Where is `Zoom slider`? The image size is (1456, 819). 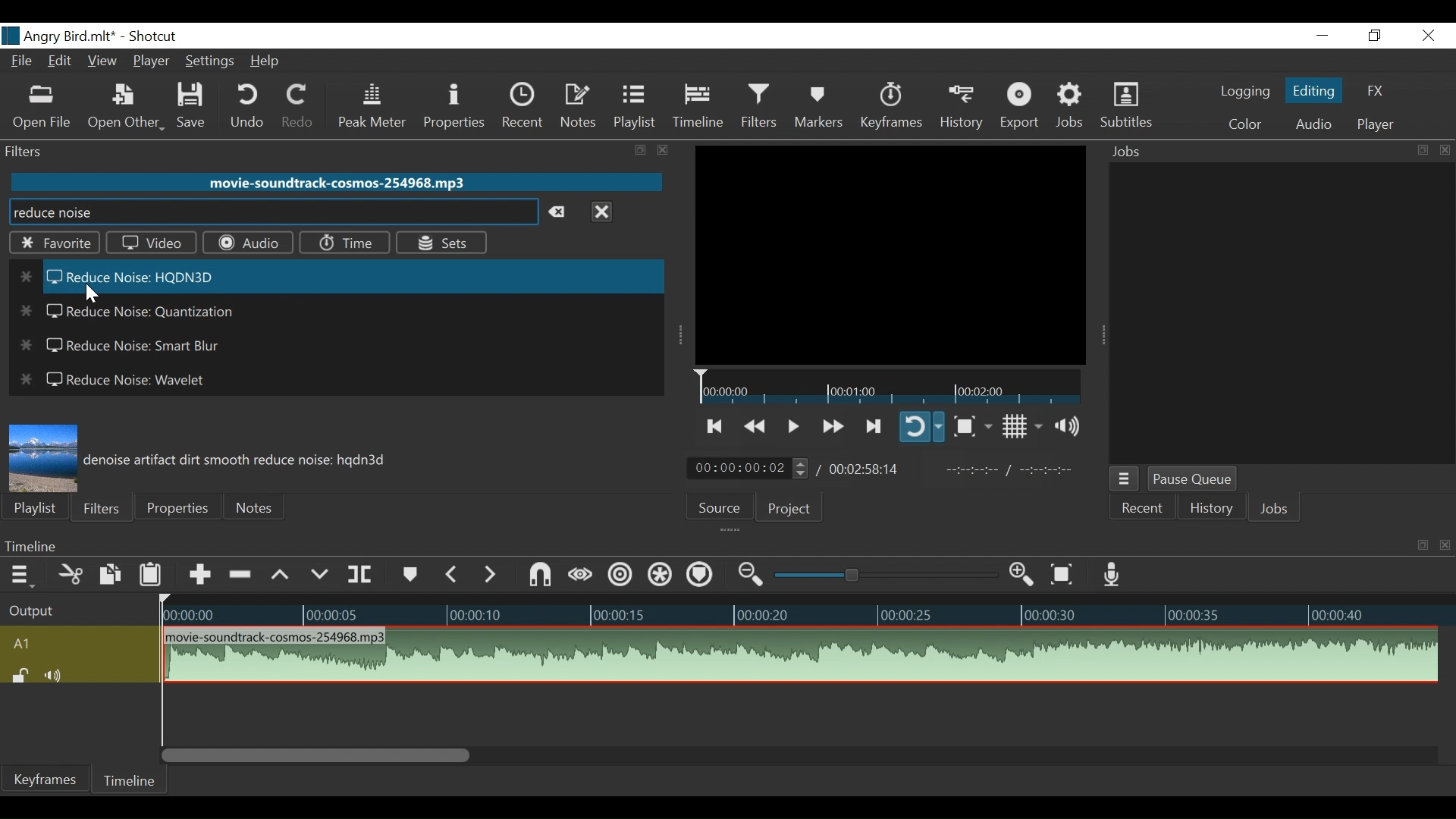 Zoom slider is located at coordinates (881, 576).